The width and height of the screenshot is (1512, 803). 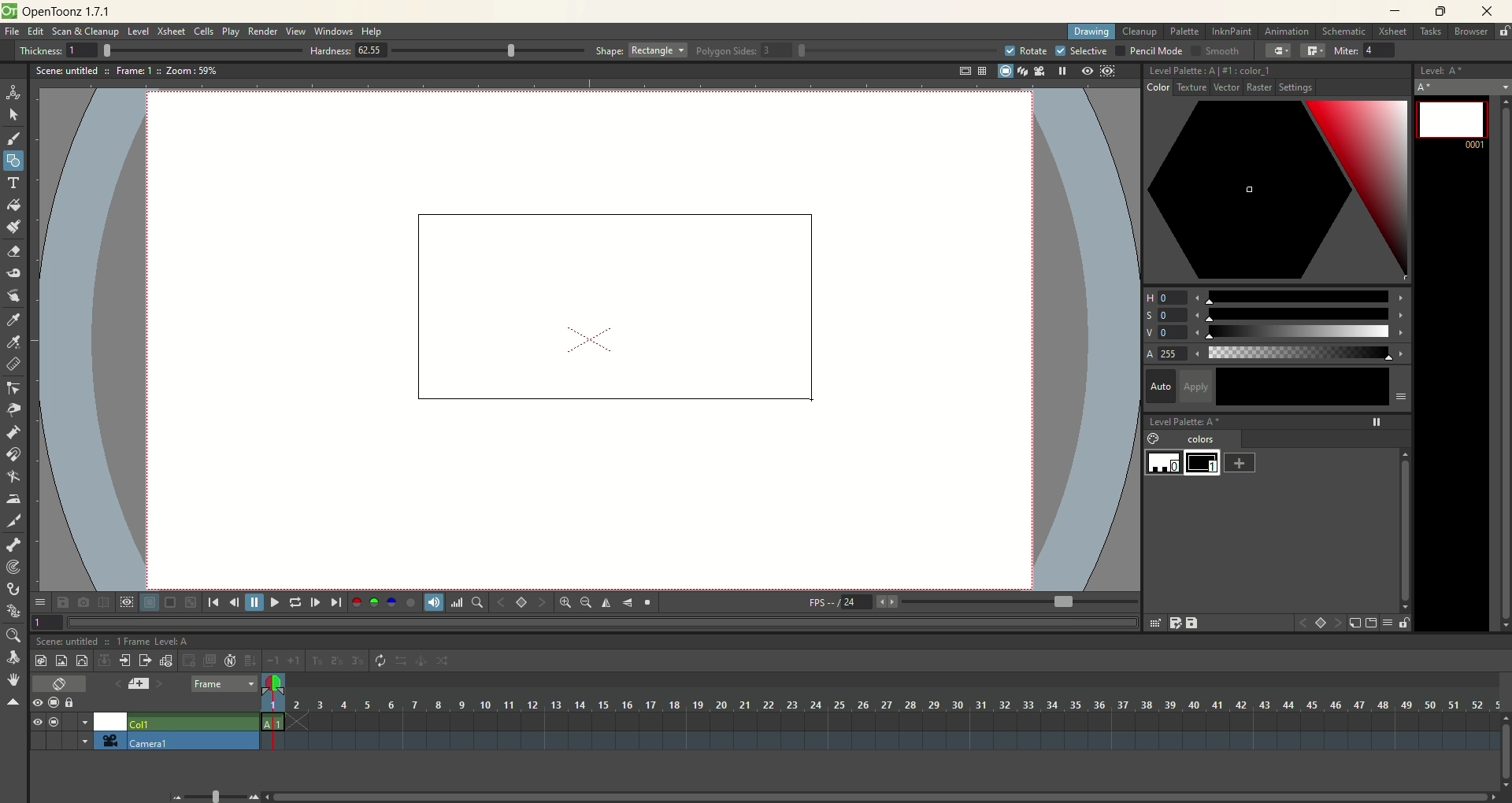 What do you see at coordinates (1483, 13) in the screenshot?
I see `close` at bounding box center [1483, 13].